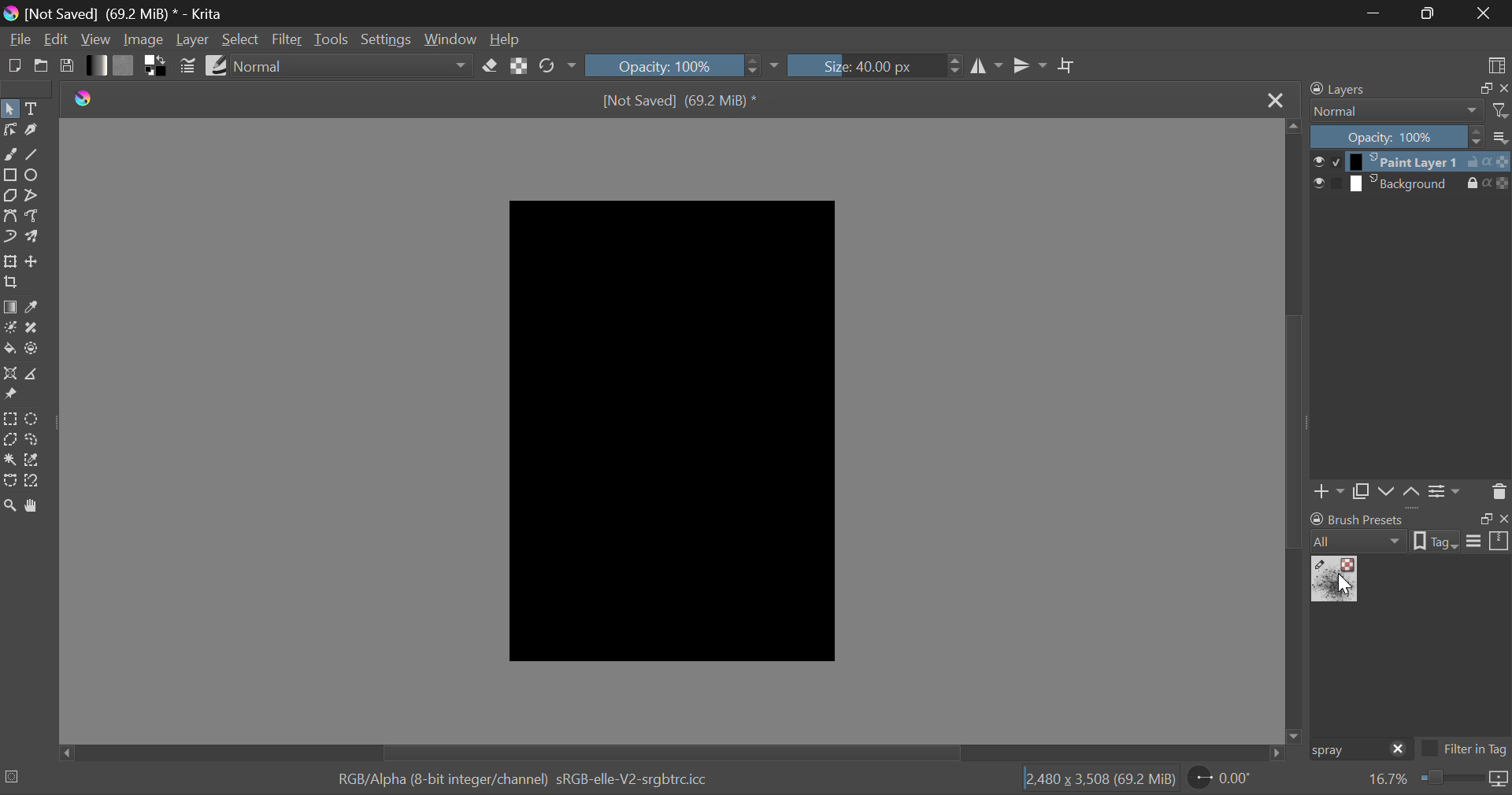  Describe the element at coordinates (1388, 493) in the screenshot. I see `Layer Movement down` at that location.